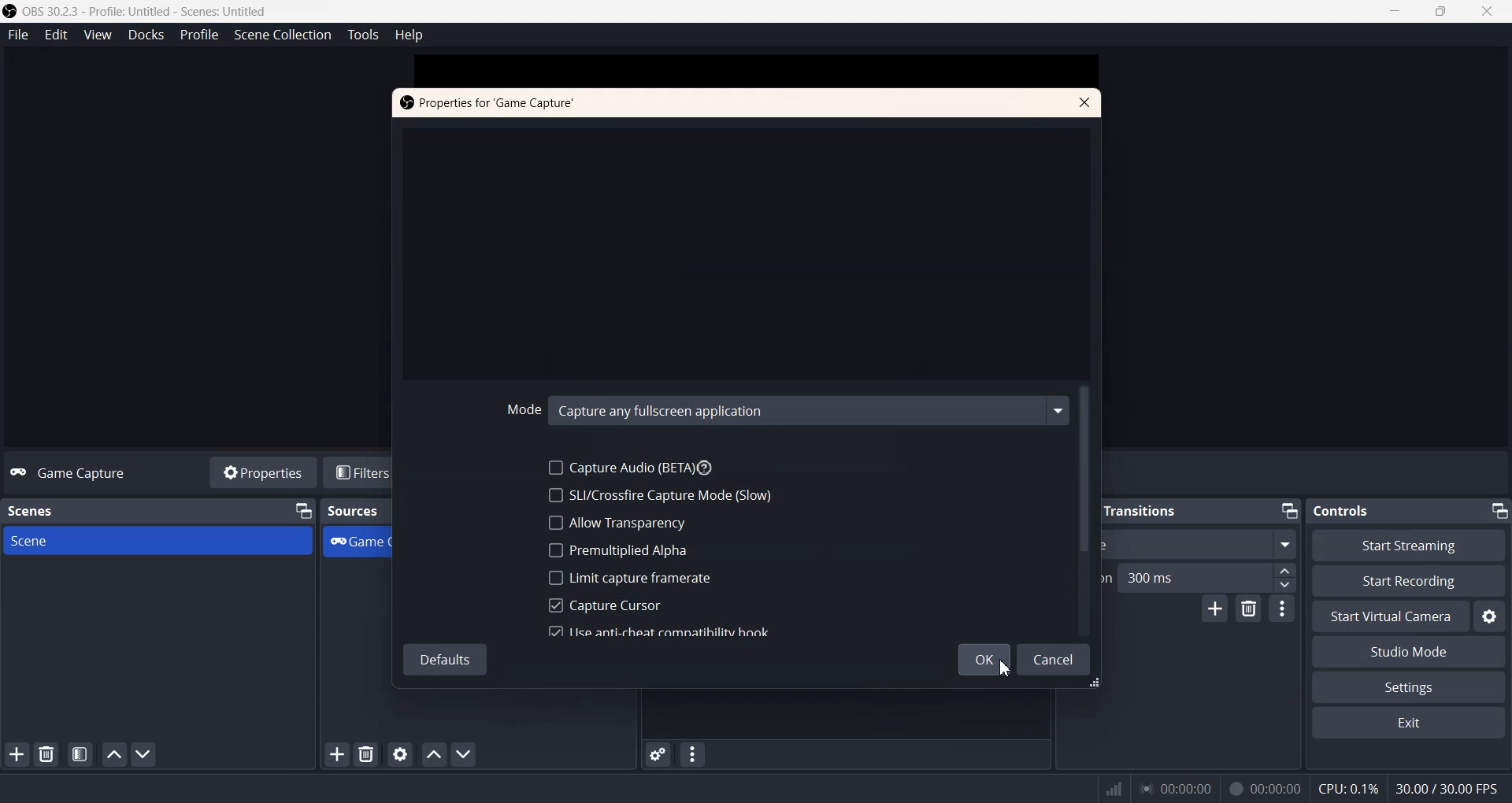  Describe the element at coordinates (409, 35) in the screenshot. I see `Help` at that location.